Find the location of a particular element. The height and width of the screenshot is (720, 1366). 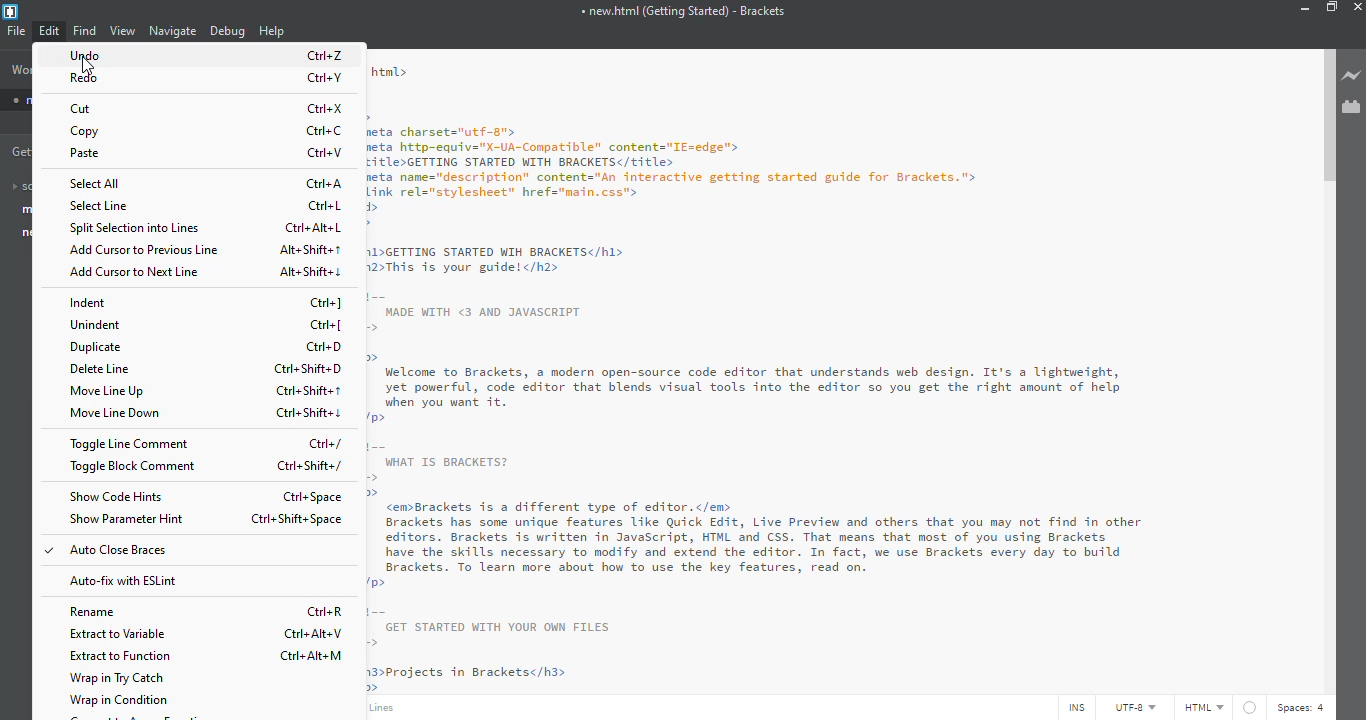

ctrl+l is located at coordinates (330, 206).